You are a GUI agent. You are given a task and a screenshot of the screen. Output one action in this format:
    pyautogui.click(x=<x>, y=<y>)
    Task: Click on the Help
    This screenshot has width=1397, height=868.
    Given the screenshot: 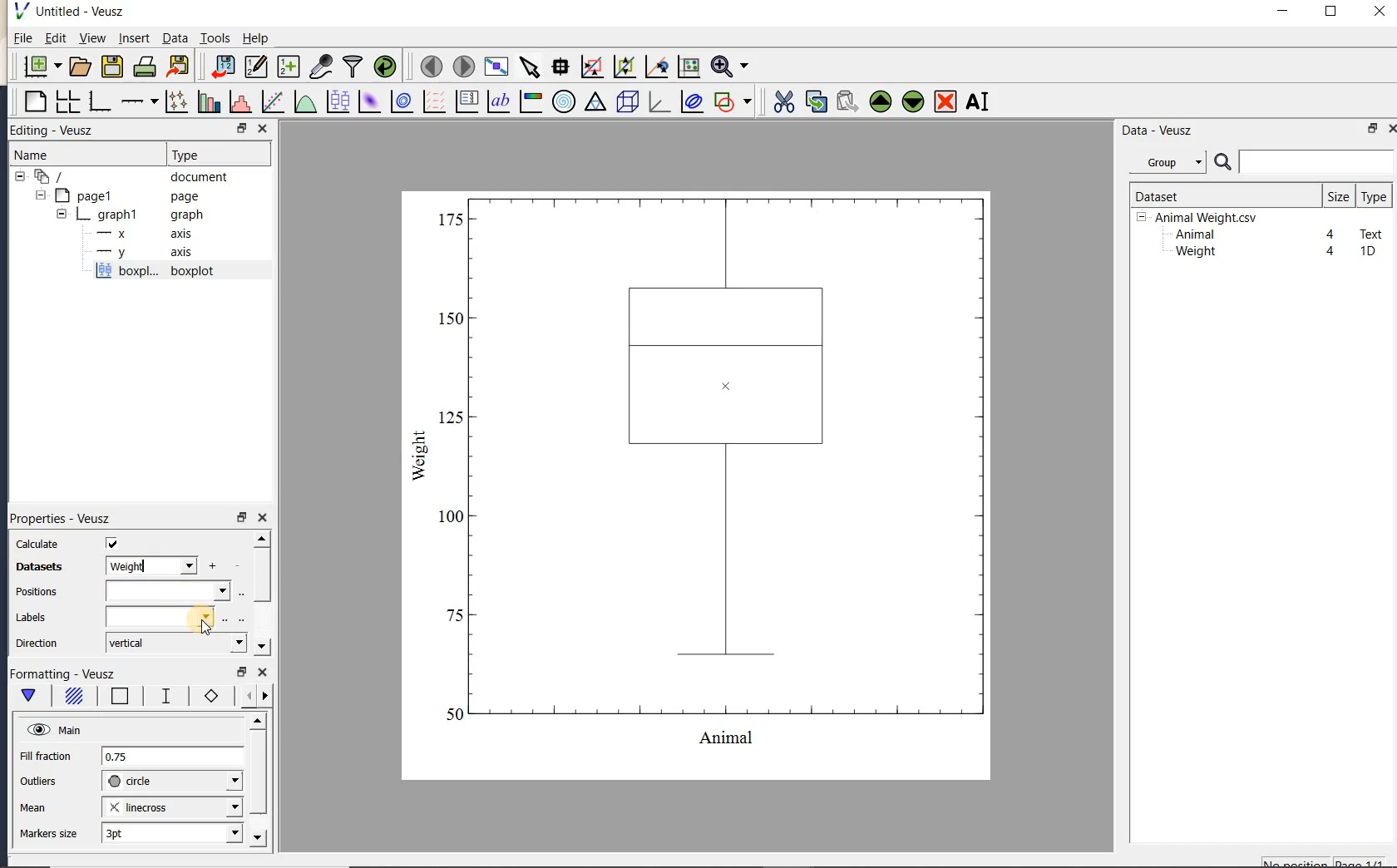 What is the action you would take?
    pyautogui.click(x=255, y=38)
    